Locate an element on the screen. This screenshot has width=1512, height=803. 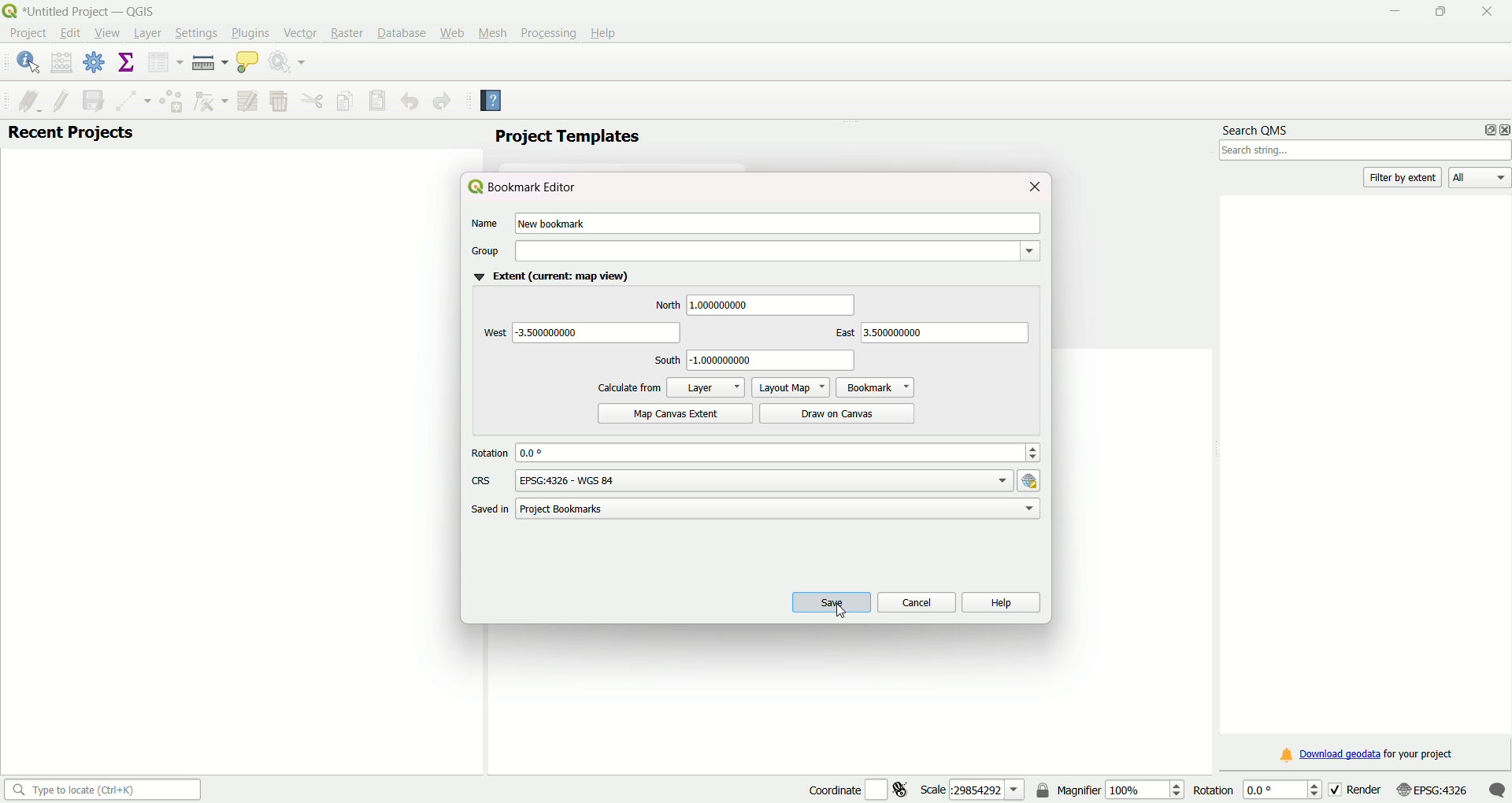
Minimize is located at coordinates (1393, 13).